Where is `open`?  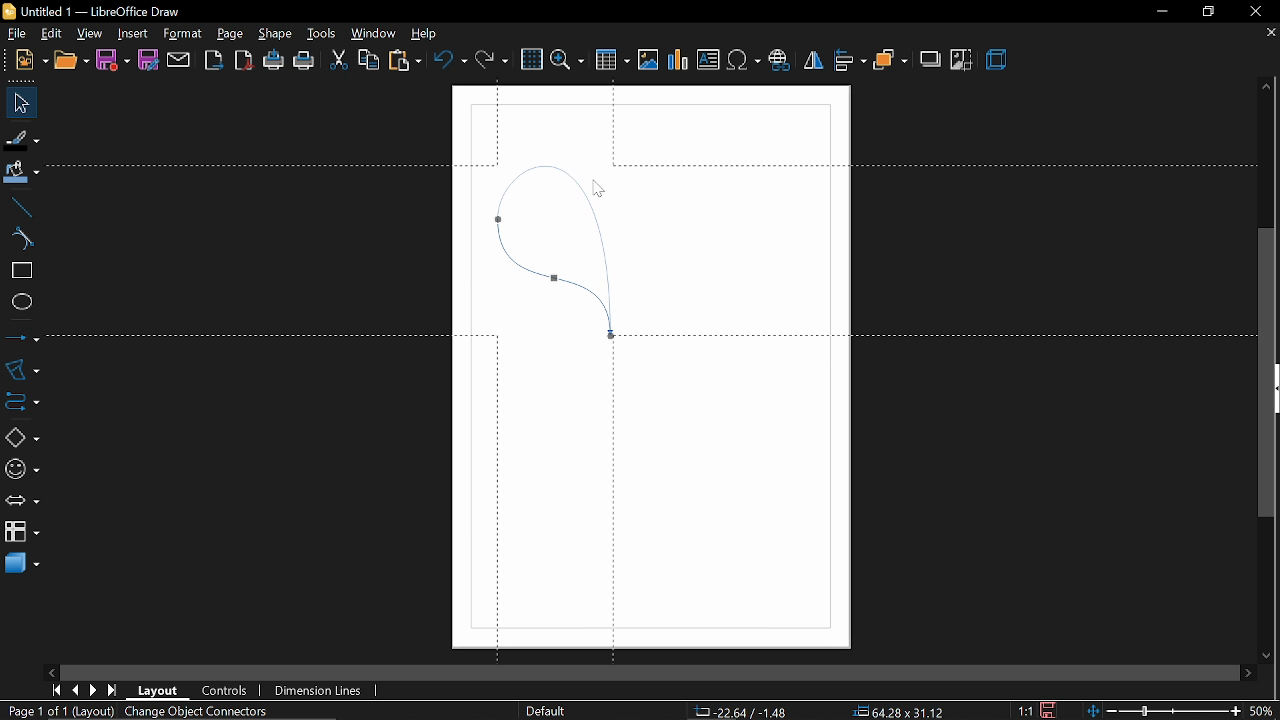 open is located at coordinates (69, 62).